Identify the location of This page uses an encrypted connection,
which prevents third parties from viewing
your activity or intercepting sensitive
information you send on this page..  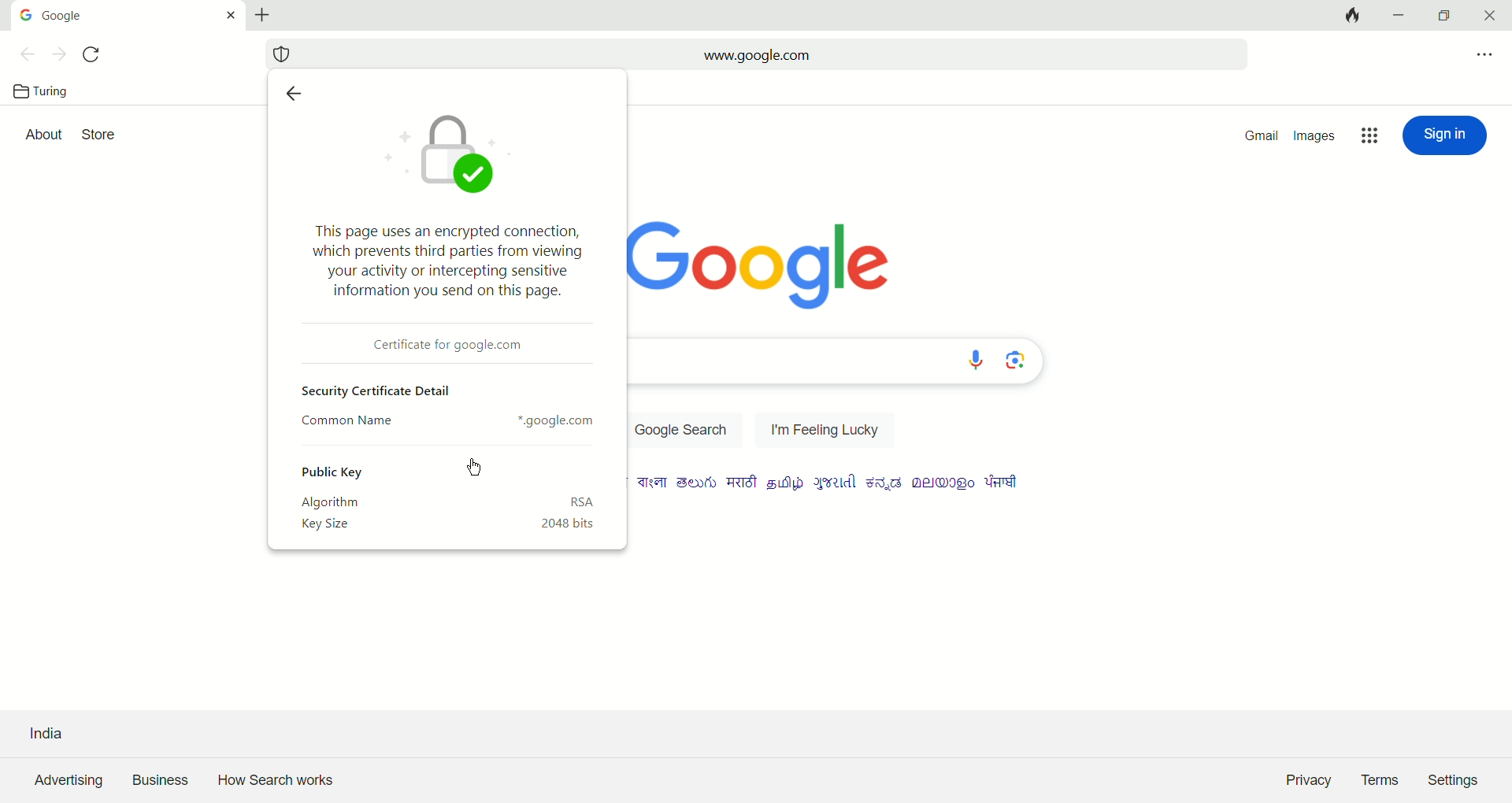
(457, 262).